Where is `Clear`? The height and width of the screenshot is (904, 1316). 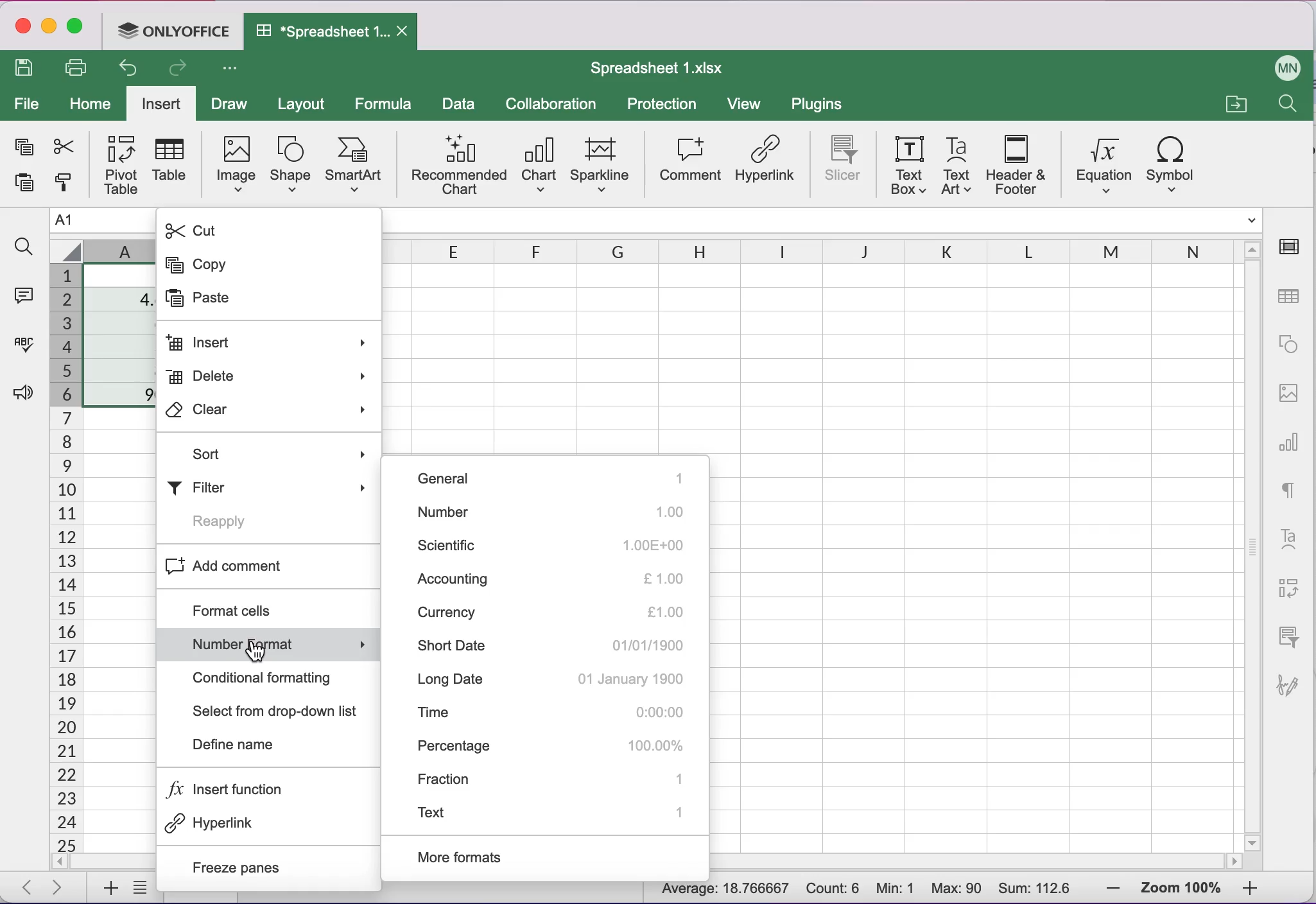 Clear is located at coordinates (268, 413).